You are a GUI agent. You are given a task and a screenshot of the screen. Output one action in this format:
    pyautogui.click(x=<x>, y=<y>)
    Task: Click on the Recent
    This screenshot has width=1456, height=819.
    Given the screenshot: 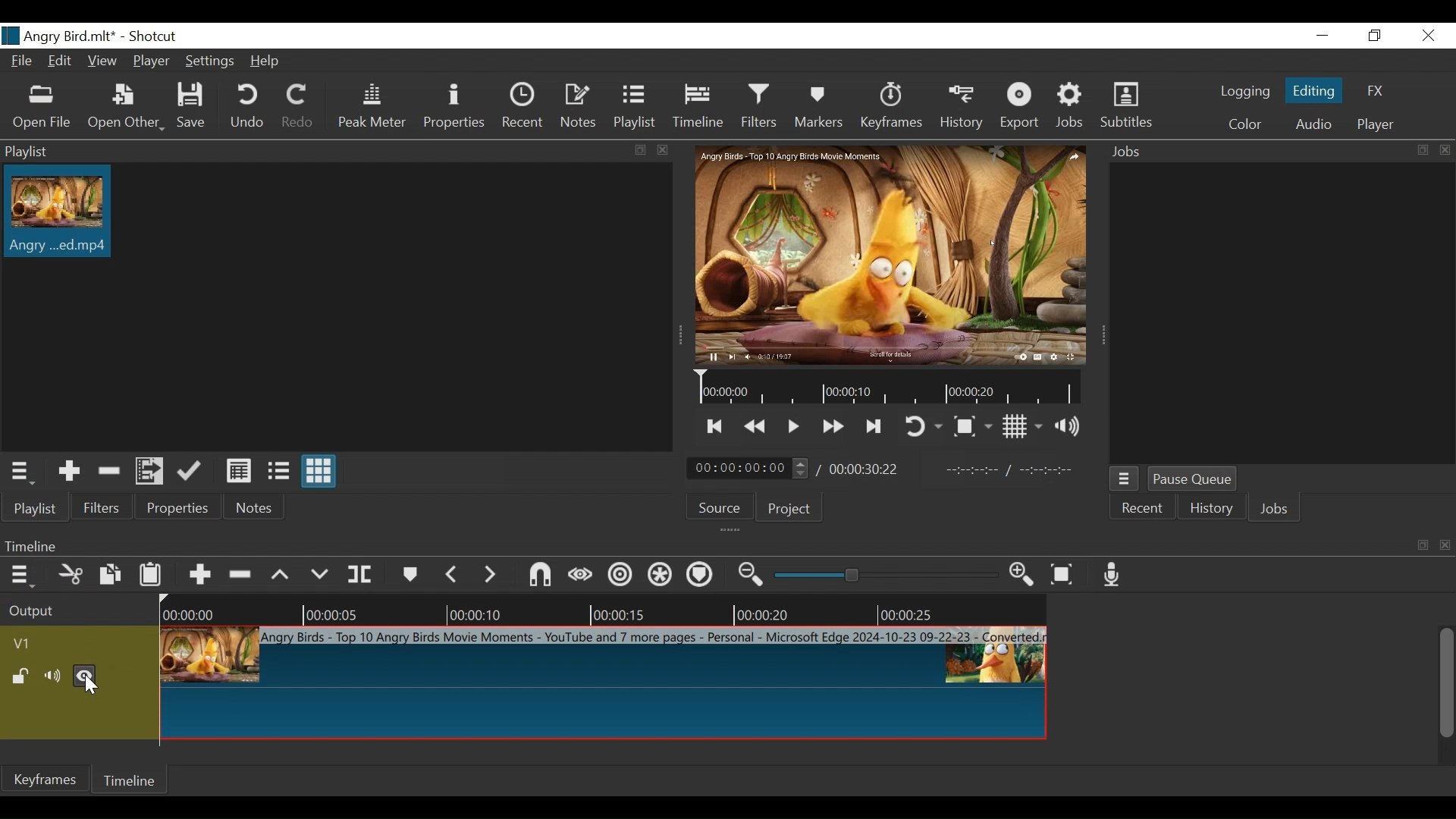 What is the action you would take?
    pyautogui.click(x=524, y=106)
    